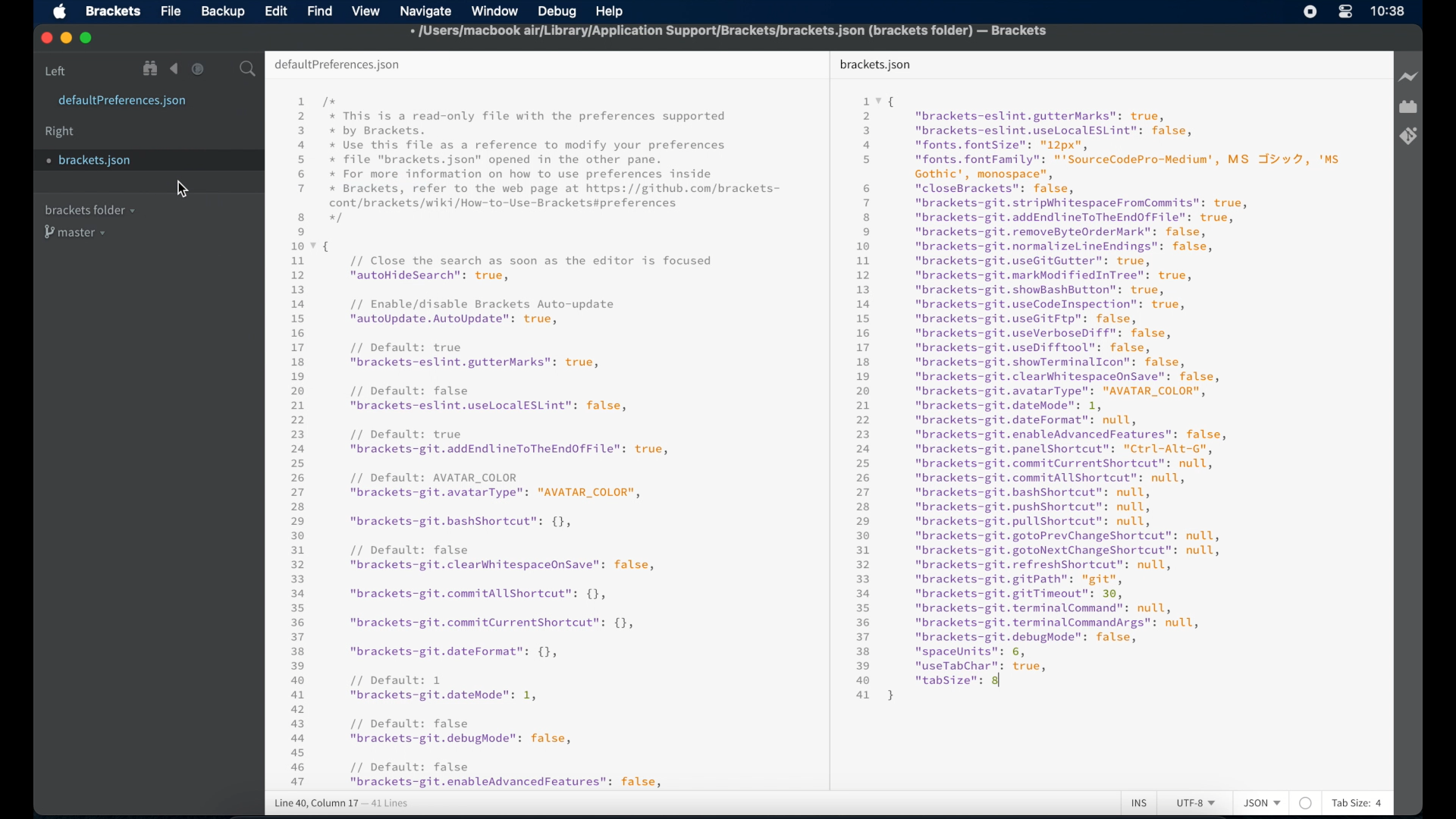  Describe the element at coordinates (183, 190) in the screenshot. I see `cursor` at that location.